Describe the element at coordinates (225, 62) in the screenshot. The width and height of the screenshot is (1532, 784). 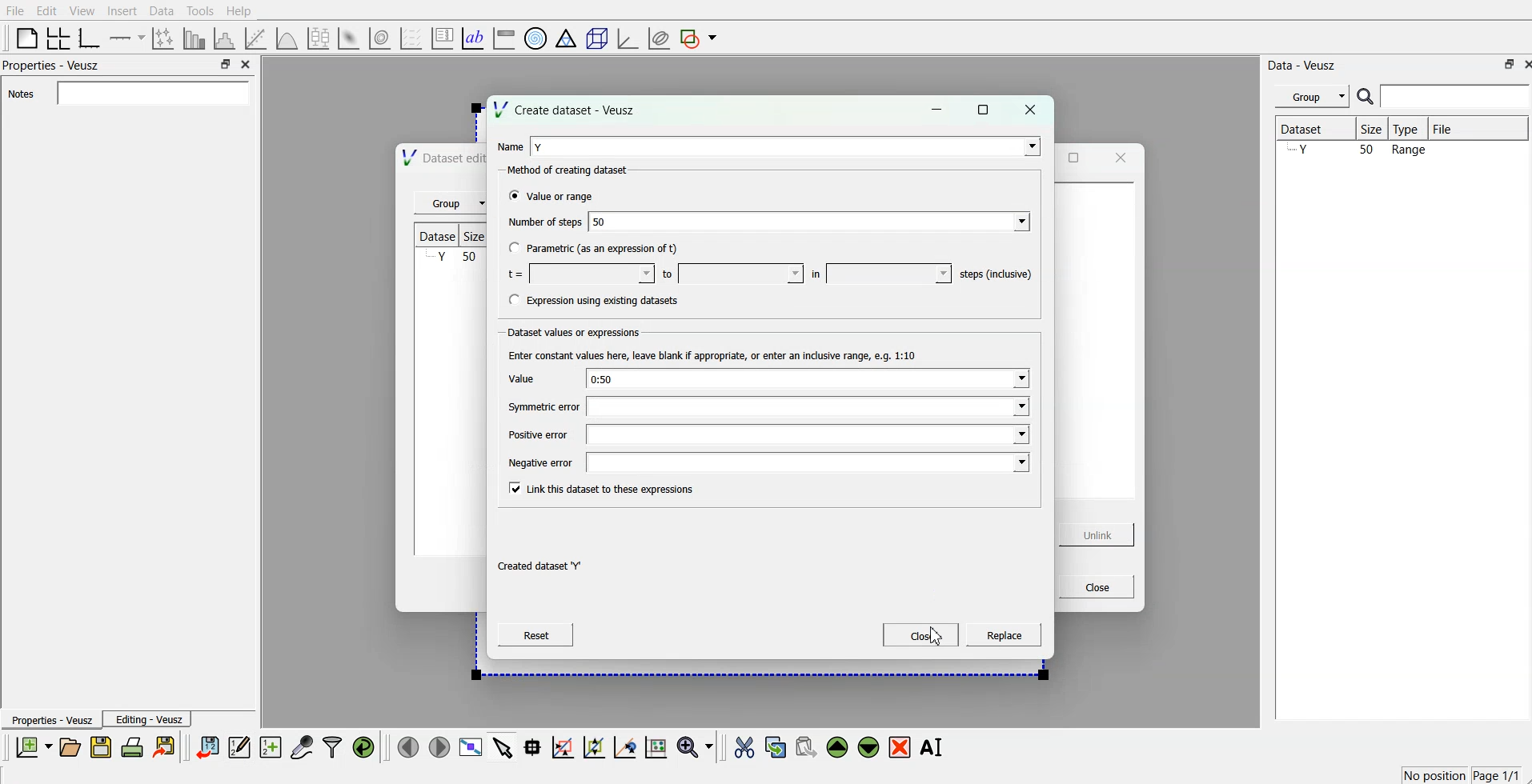
I see `minimise` at that location.